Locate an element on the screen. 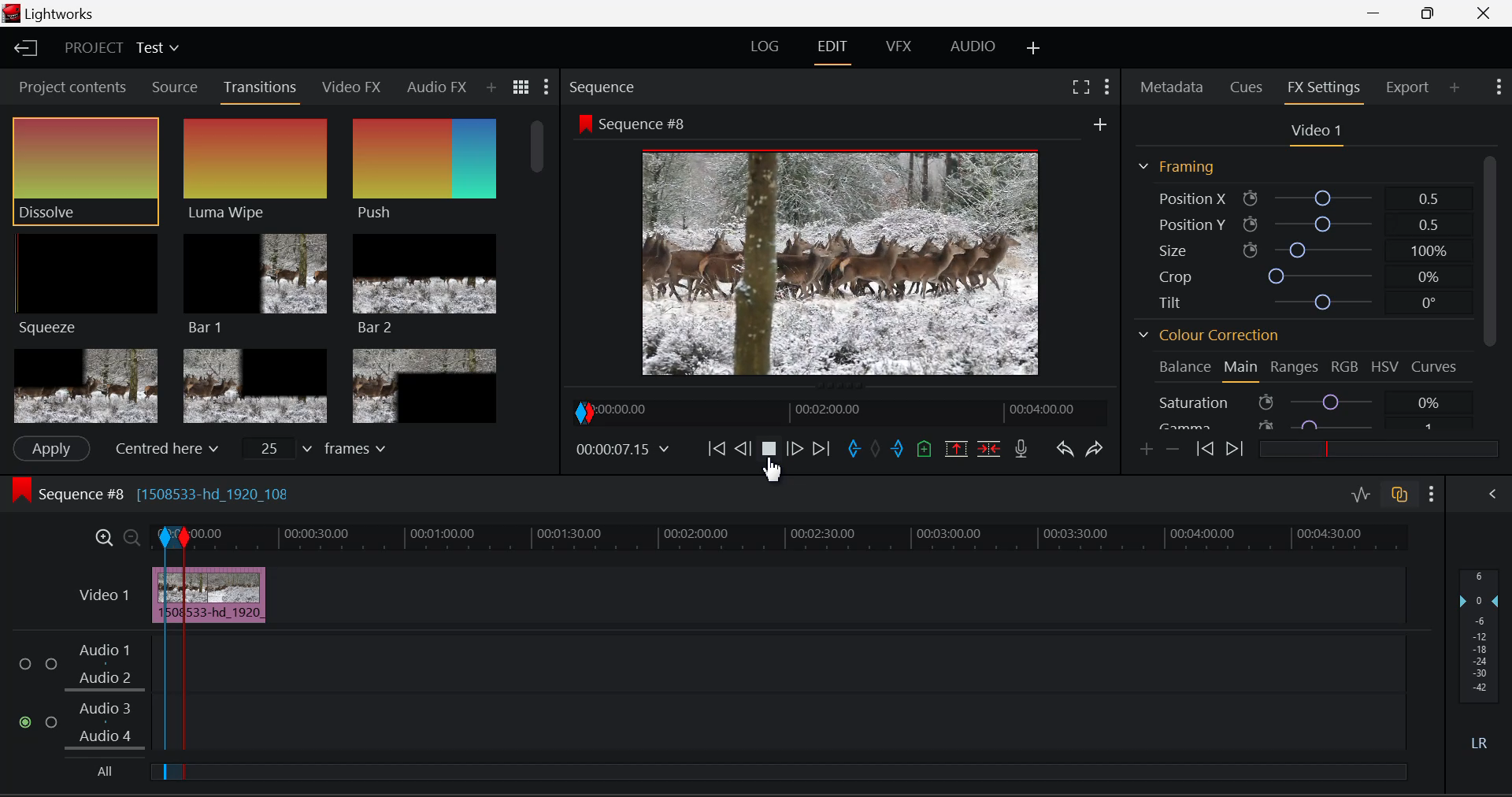 Image resolution: width=1512 pixels, height=797 pixels. Show Settings is located at coordinates (547, 86).